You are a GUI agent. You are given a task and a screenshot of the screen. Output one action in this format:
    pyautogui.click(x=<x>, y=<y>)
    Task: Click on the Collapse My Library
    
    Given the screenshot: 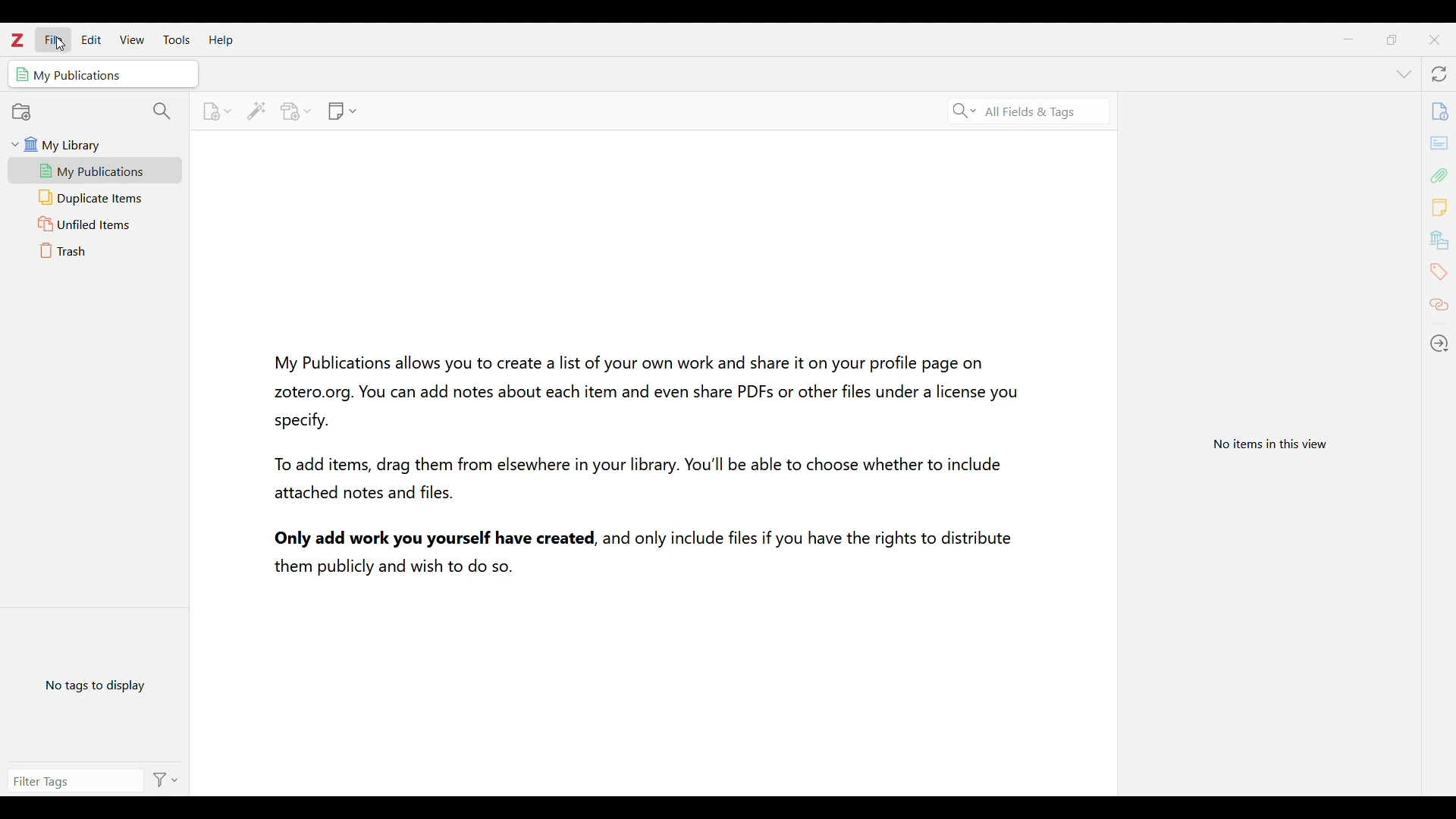 What is the action you would take?
    pyautogui.click(x=15, y=144)
    